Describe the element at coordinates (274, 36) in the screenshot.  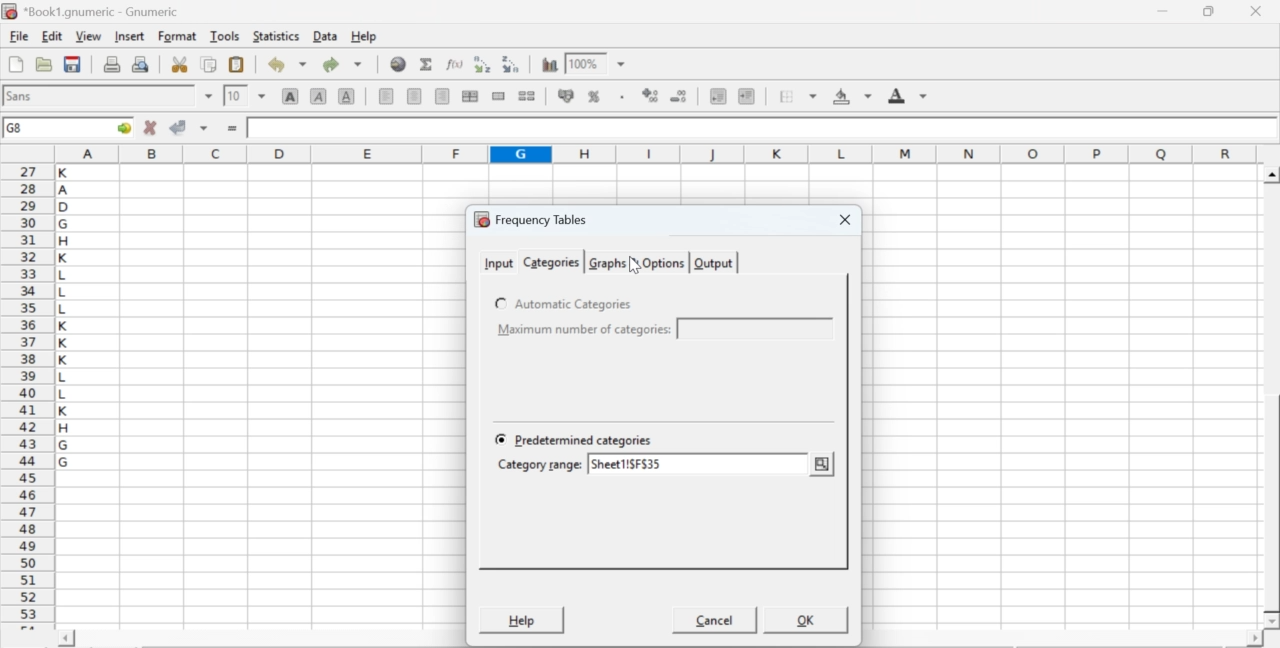
I see `statistics` at that location.